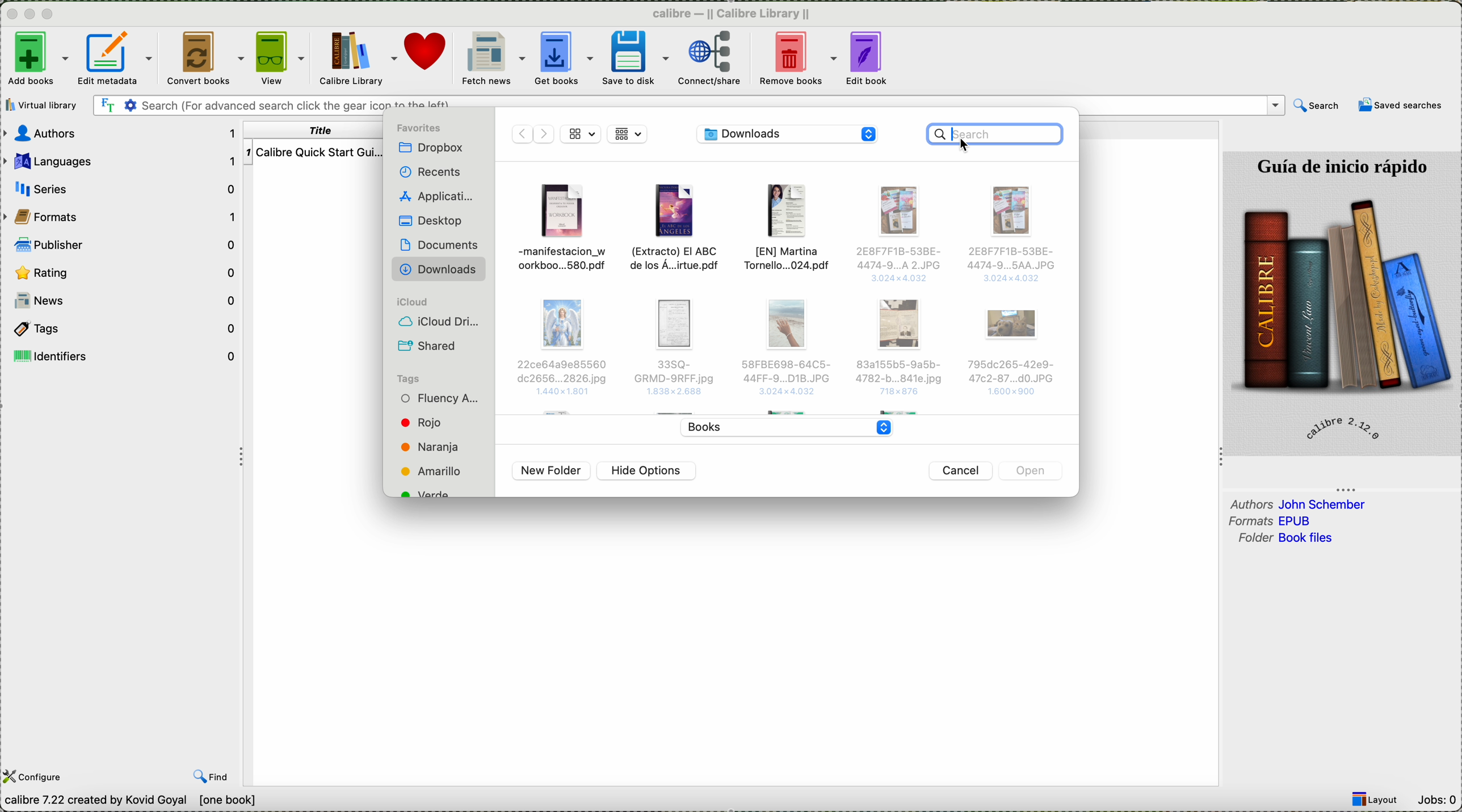 The image size is (1462, 812). Describe the element at coordinates (123, 356) in the screenshot. I see `identifiers` at that location.